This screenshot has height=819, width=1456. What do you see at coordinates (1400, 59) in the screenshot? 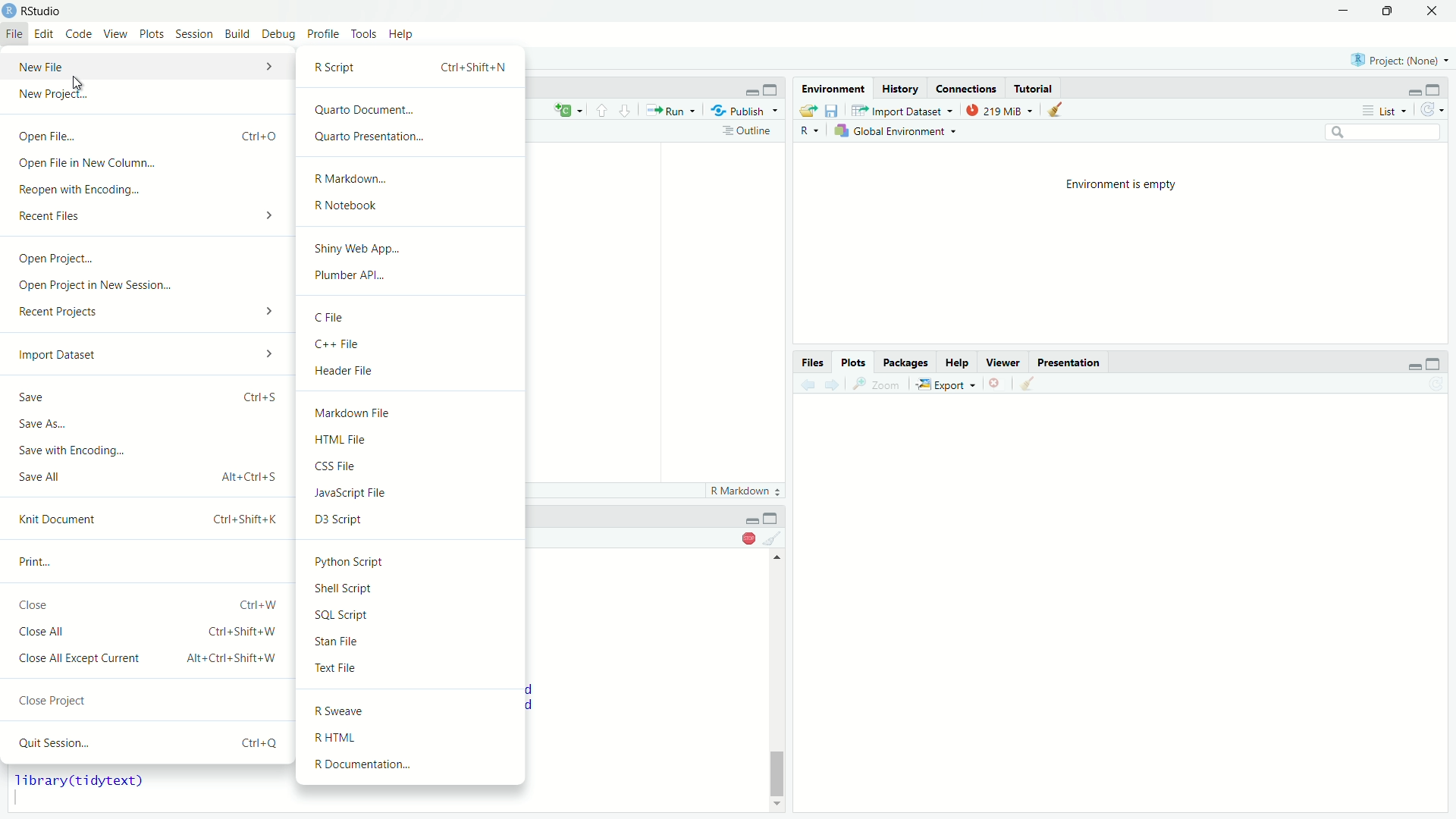
I see `select project` at bounding box center [1400, 59].